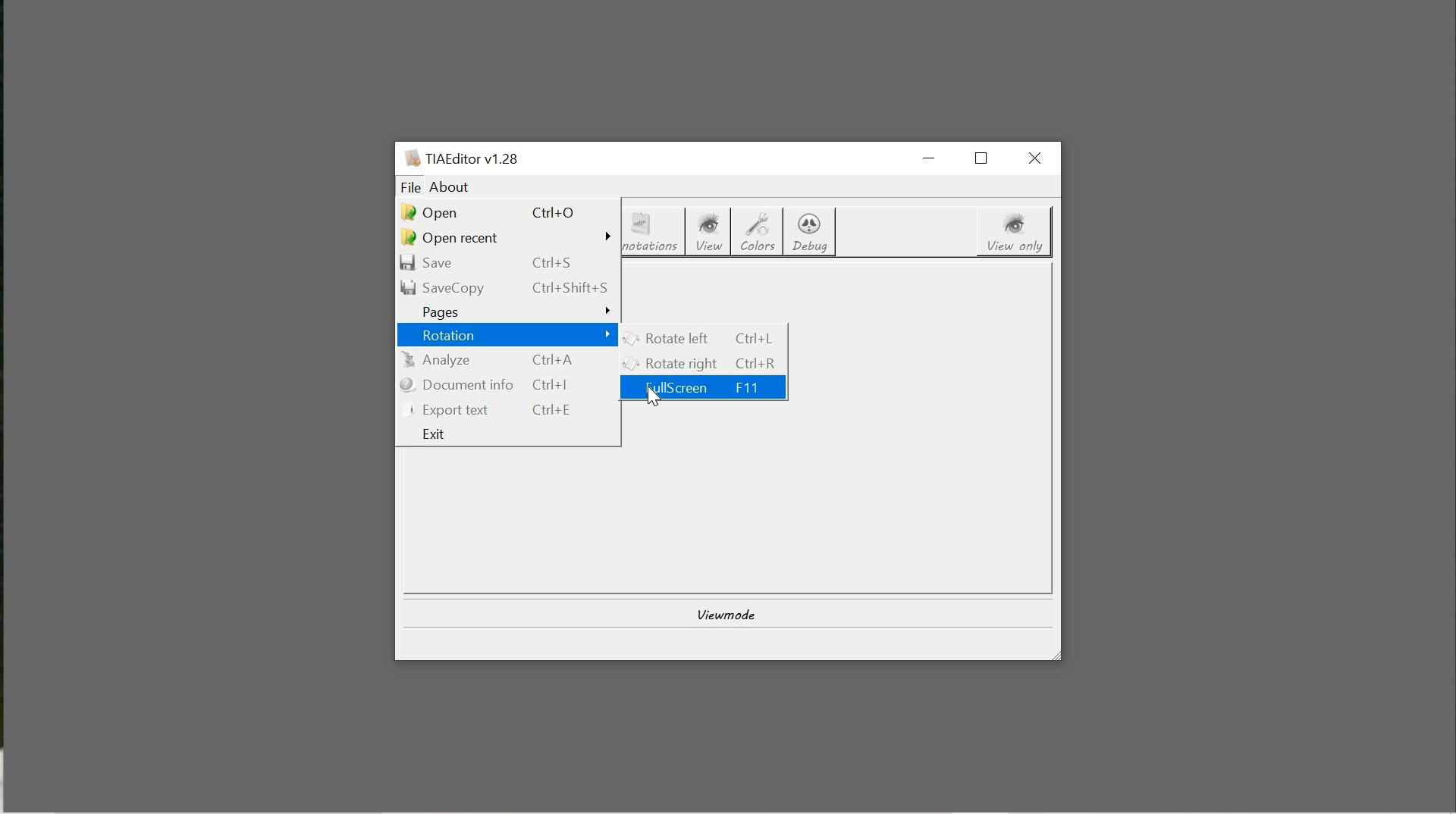 The image size is (1456, 814). What do you see at coordinates (460, 158) in the screenshot?
I see `system name` at bounding box center [460, 158].